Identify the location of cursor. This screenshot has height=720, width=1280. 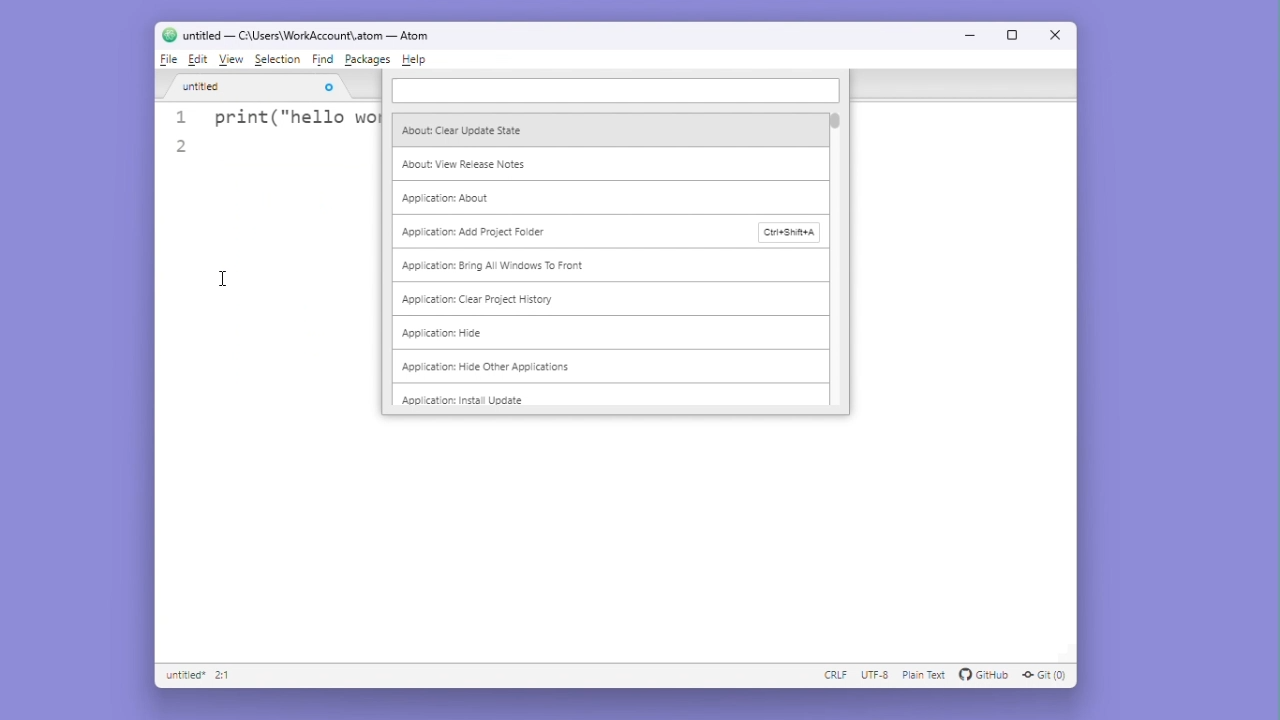
(216, 288).